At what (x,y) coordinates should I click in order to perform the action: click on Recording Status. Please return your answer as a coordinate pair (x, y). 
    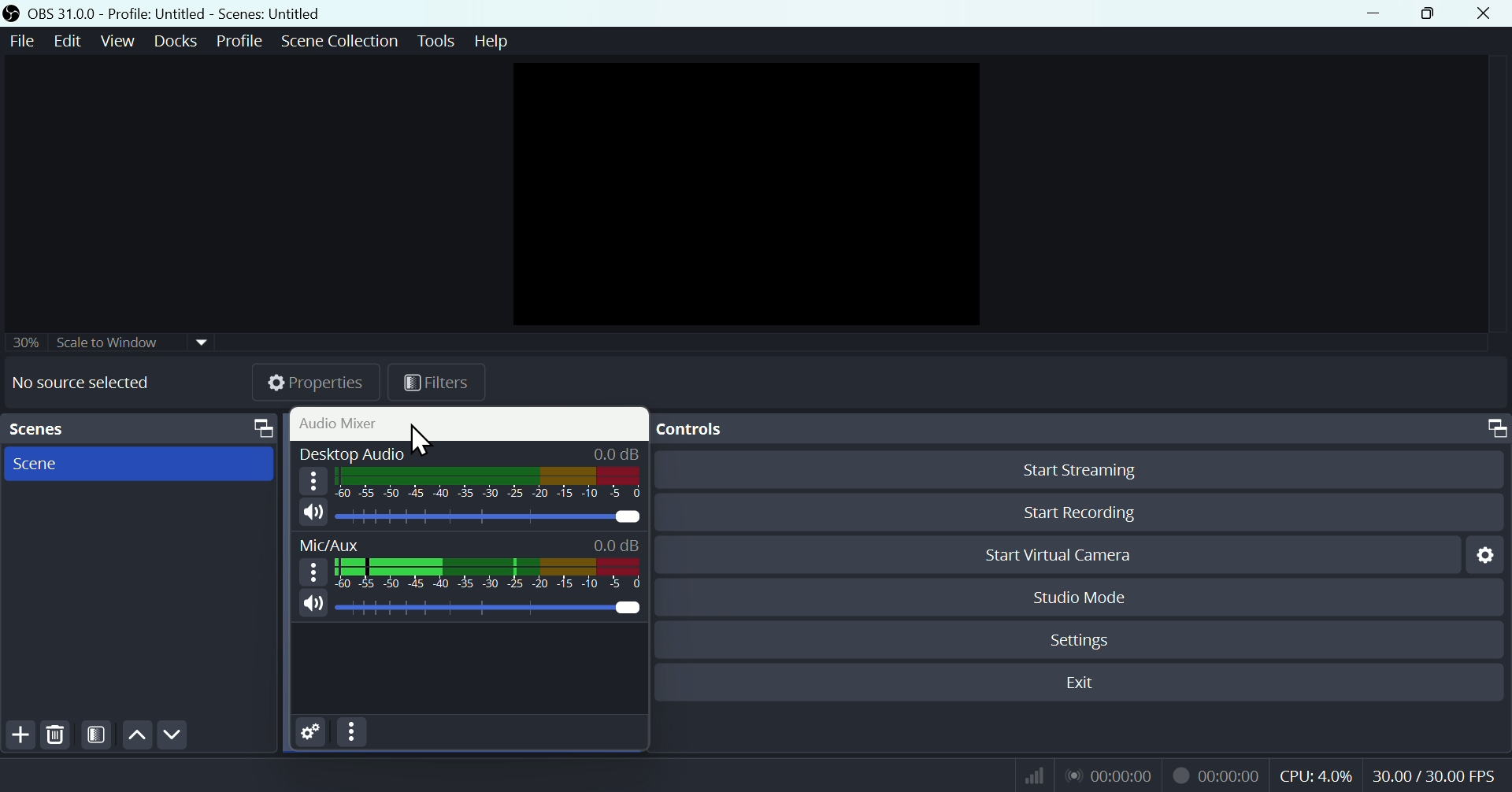
    Looking at the image, I should click on (1216, 775).